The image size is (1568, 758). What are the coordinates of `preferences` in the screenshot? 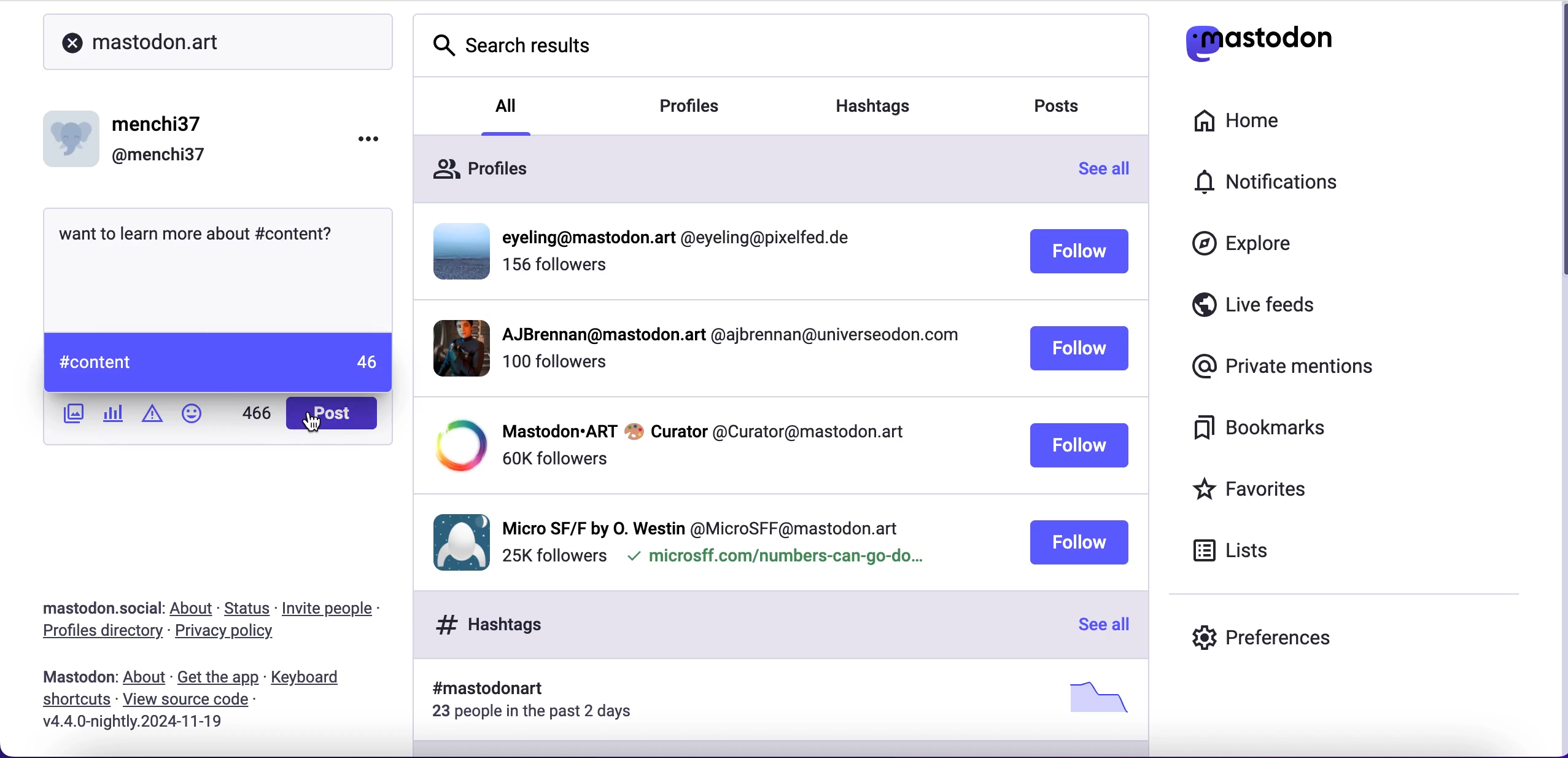 It's located at (1268, 633).